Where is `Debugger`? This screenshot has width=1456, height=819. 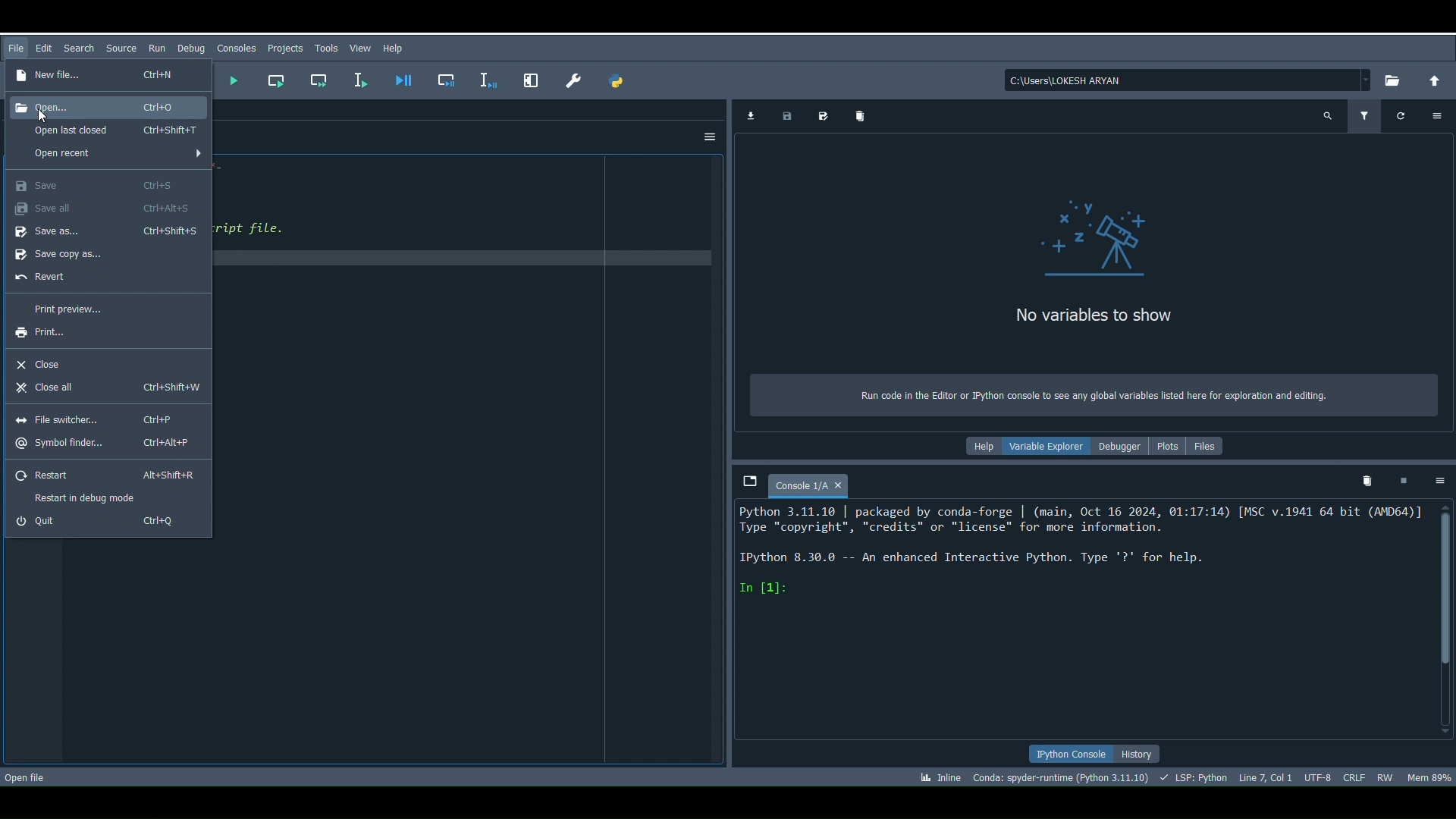
Debugger is located at coordinates (1119, 447).